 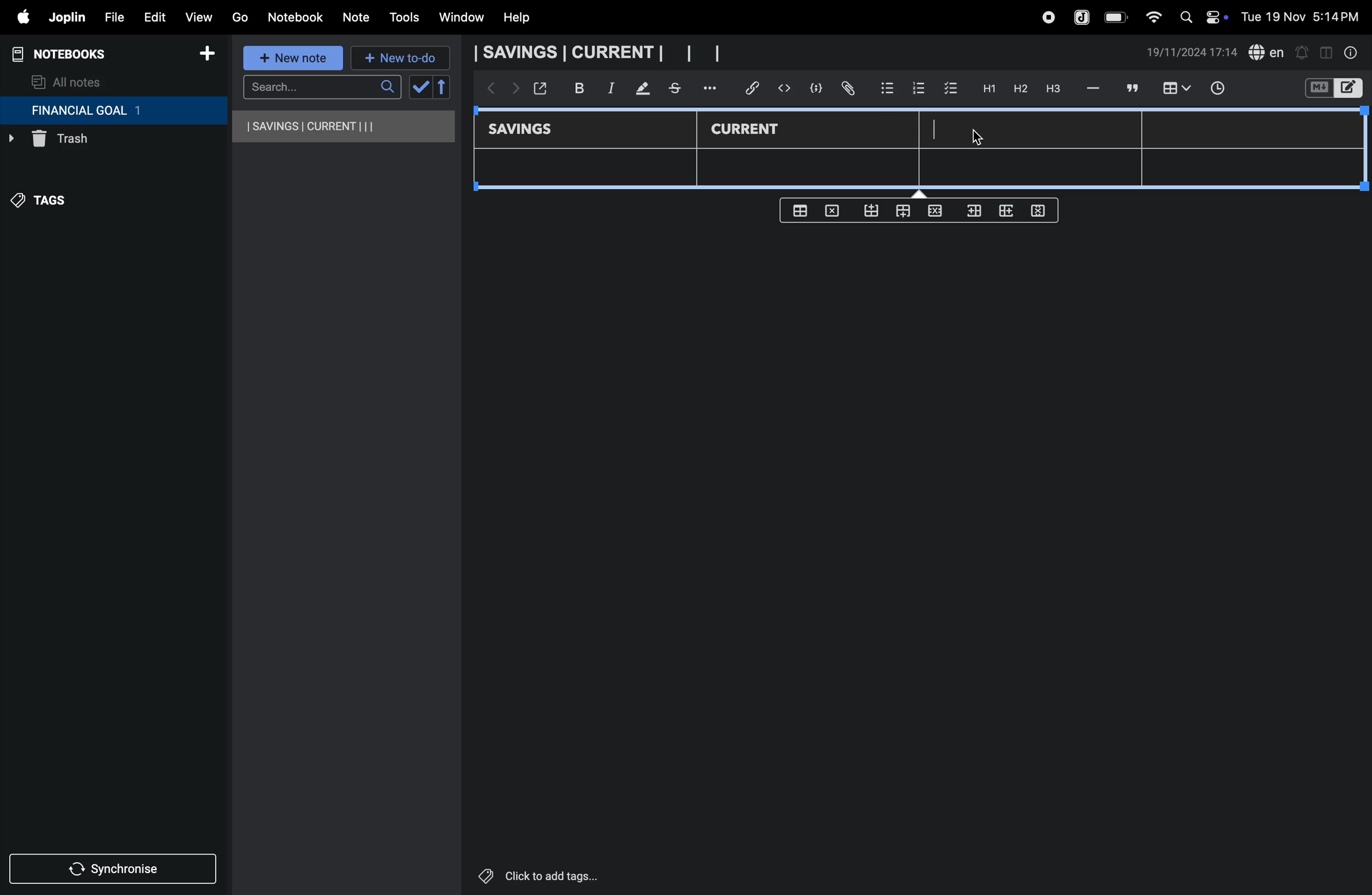 I want to click on click to add tags, so click(x=567, y=875).